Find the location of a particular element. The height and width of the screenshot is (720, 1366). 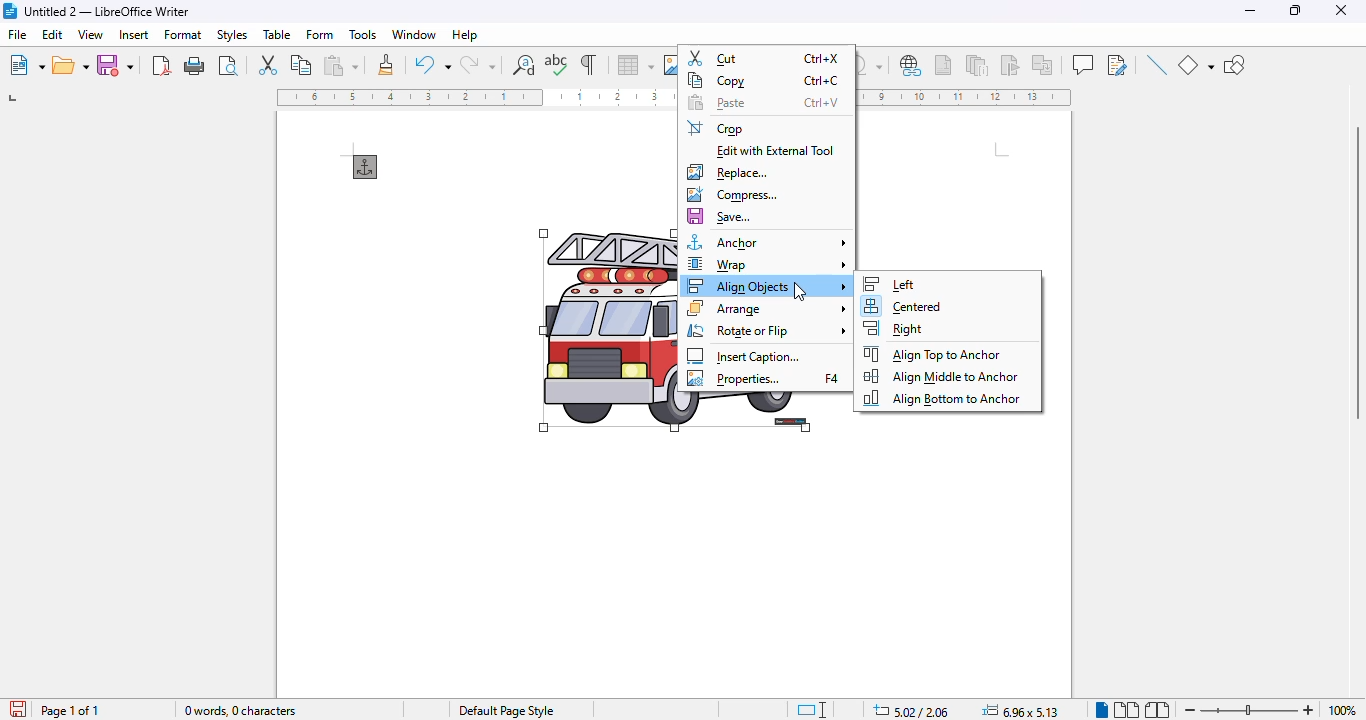

maximize is located at coordinates (1298, 11).